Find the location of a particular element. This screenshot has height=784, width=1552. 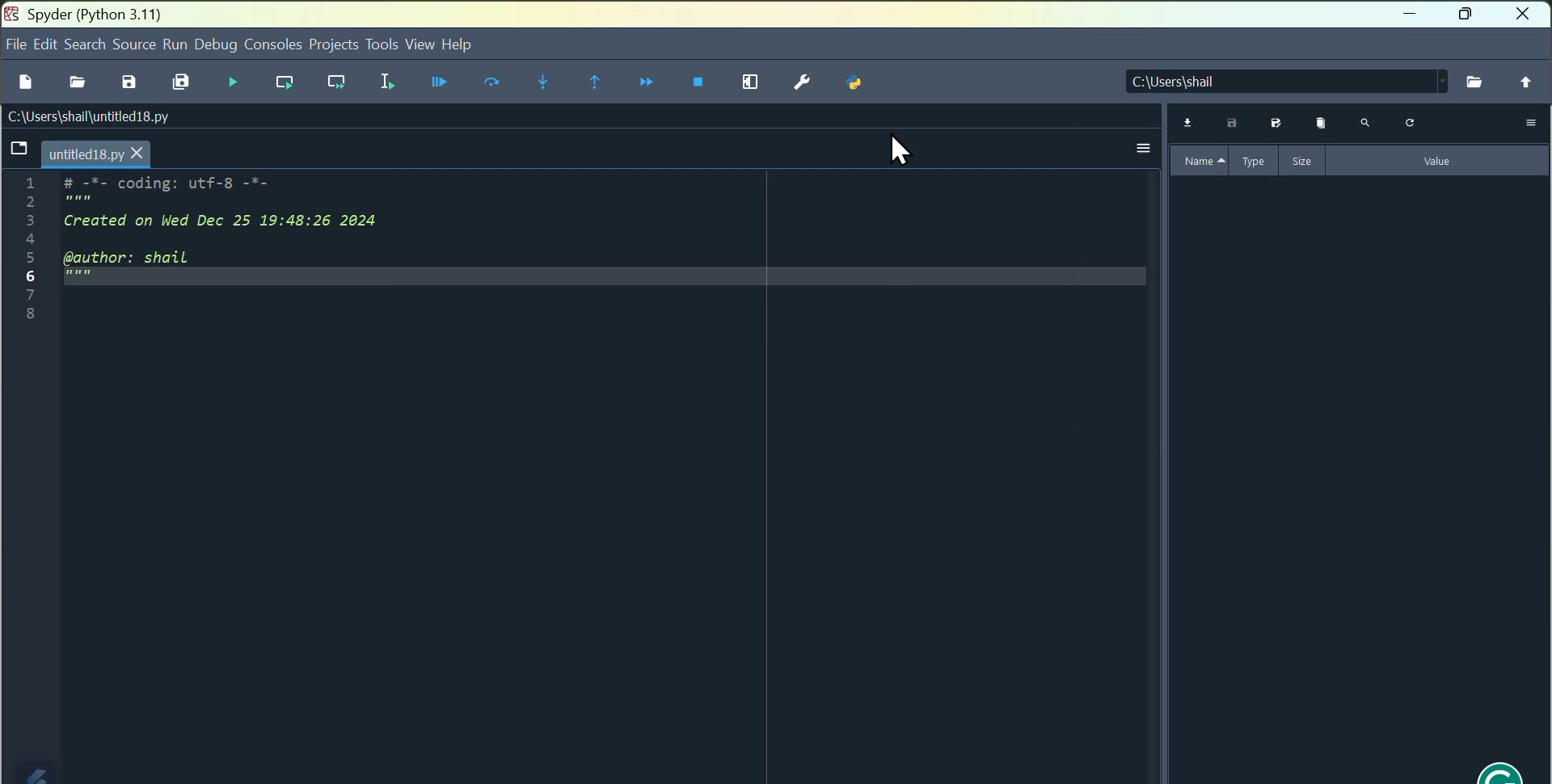

refresh is located at coordinates (1407, 121).